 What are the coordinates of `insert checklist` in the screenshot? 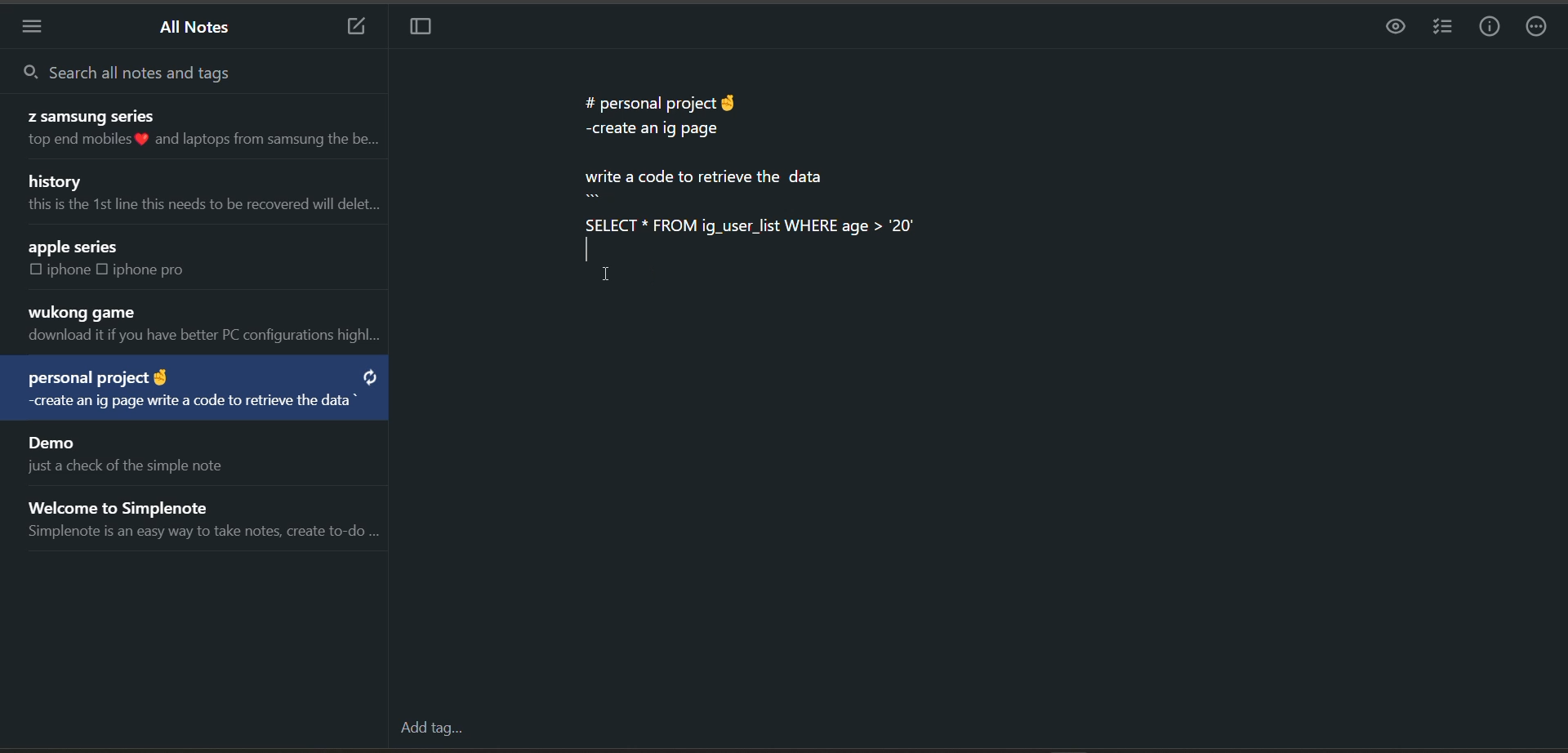 It's located at (1441, 28).